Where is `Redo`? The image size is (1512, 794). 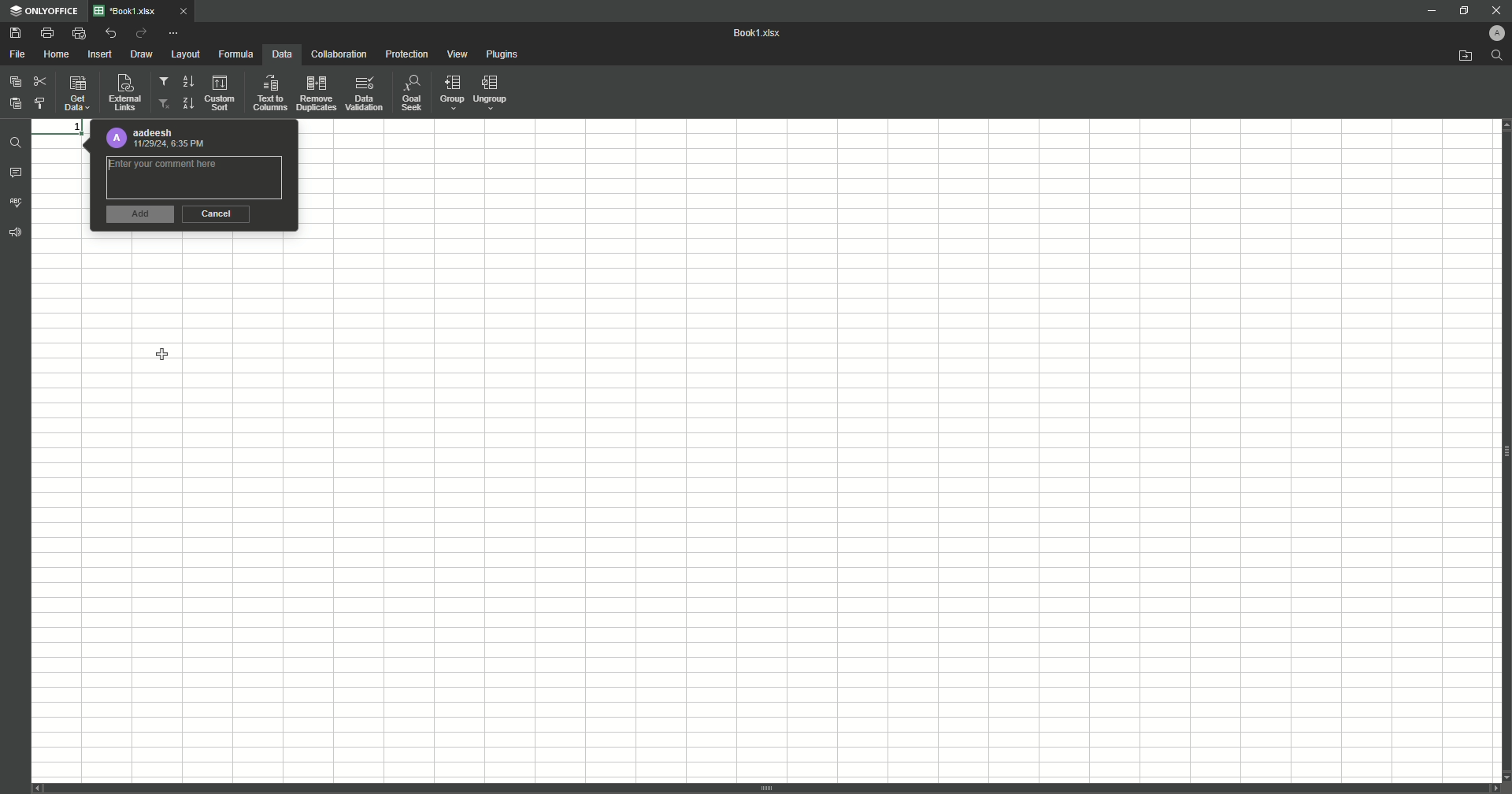
Redo is located at coordinates (140, 34).